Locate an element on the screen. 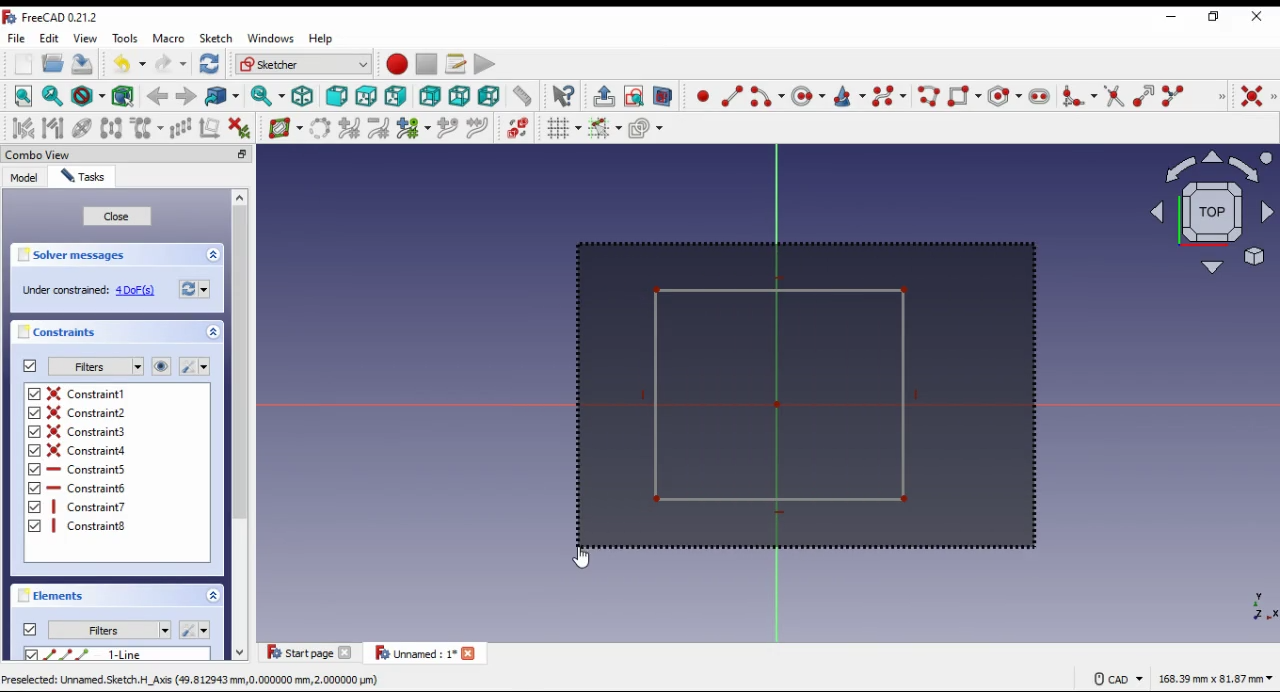 Image resolution: width=1280 pixels, height=692 pixels. top is located at coordinates (367, 97).